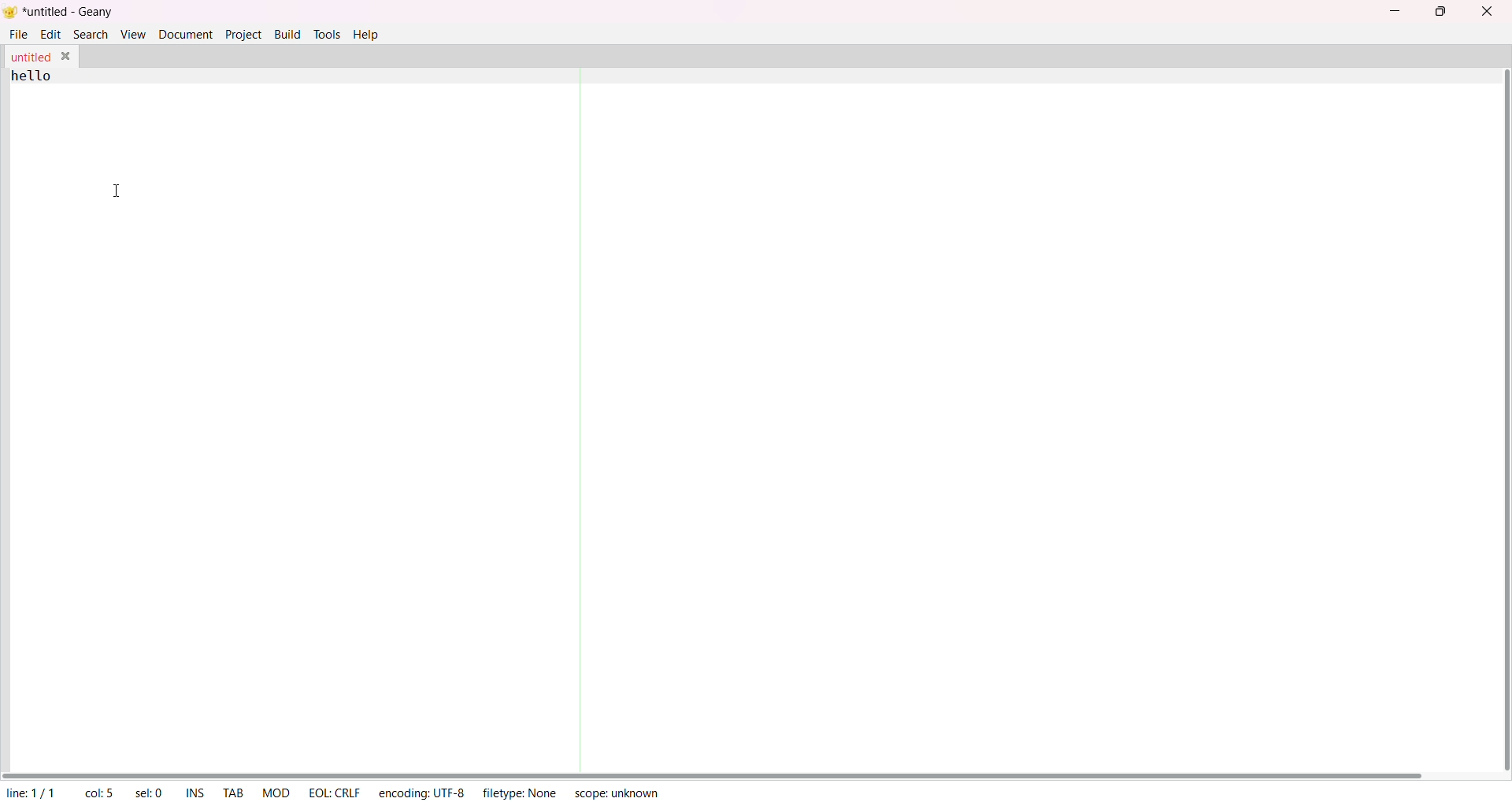 The image size is (1512, 802). What do you see at coordinates (241, 34) in the screenshot?
I see `project` at bounding box center [241, 34].